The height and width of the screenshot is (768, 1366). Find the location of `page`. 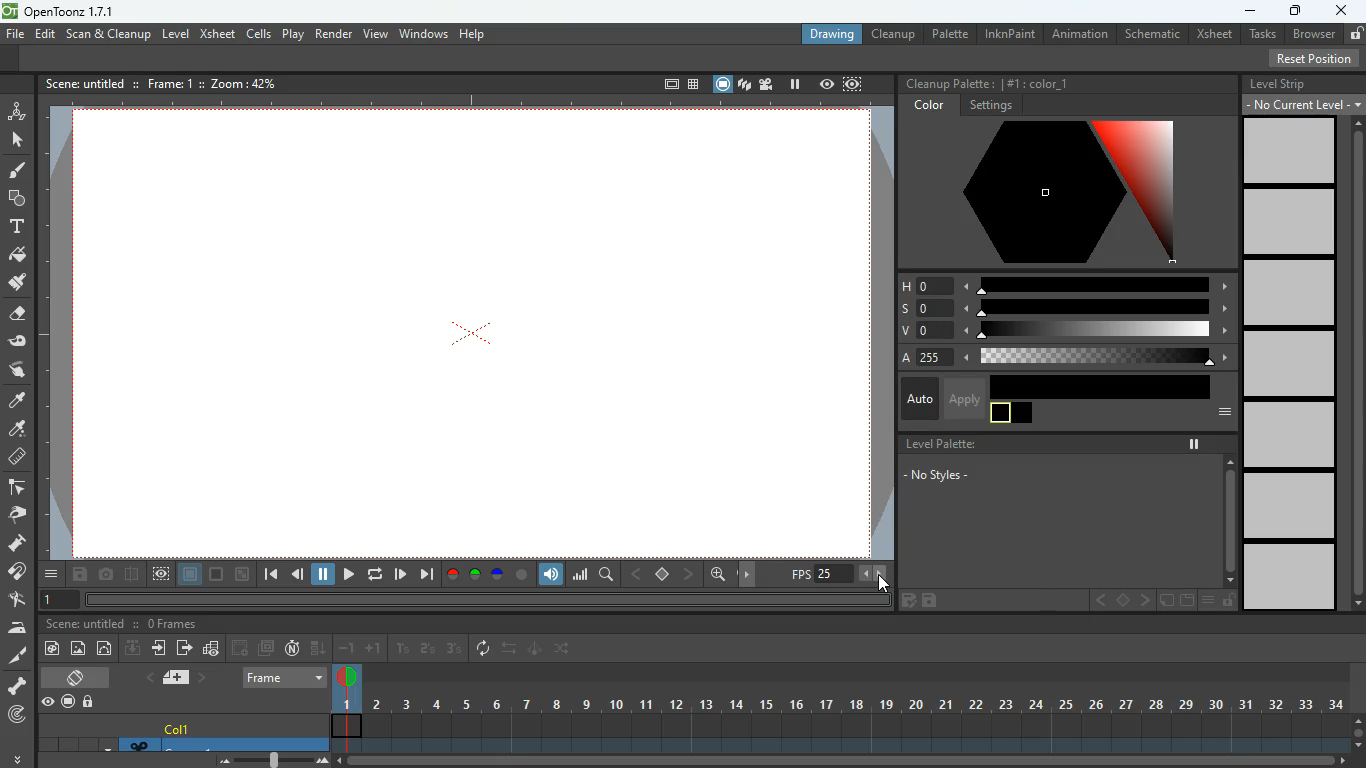

page is located at coordinates (178, 679).